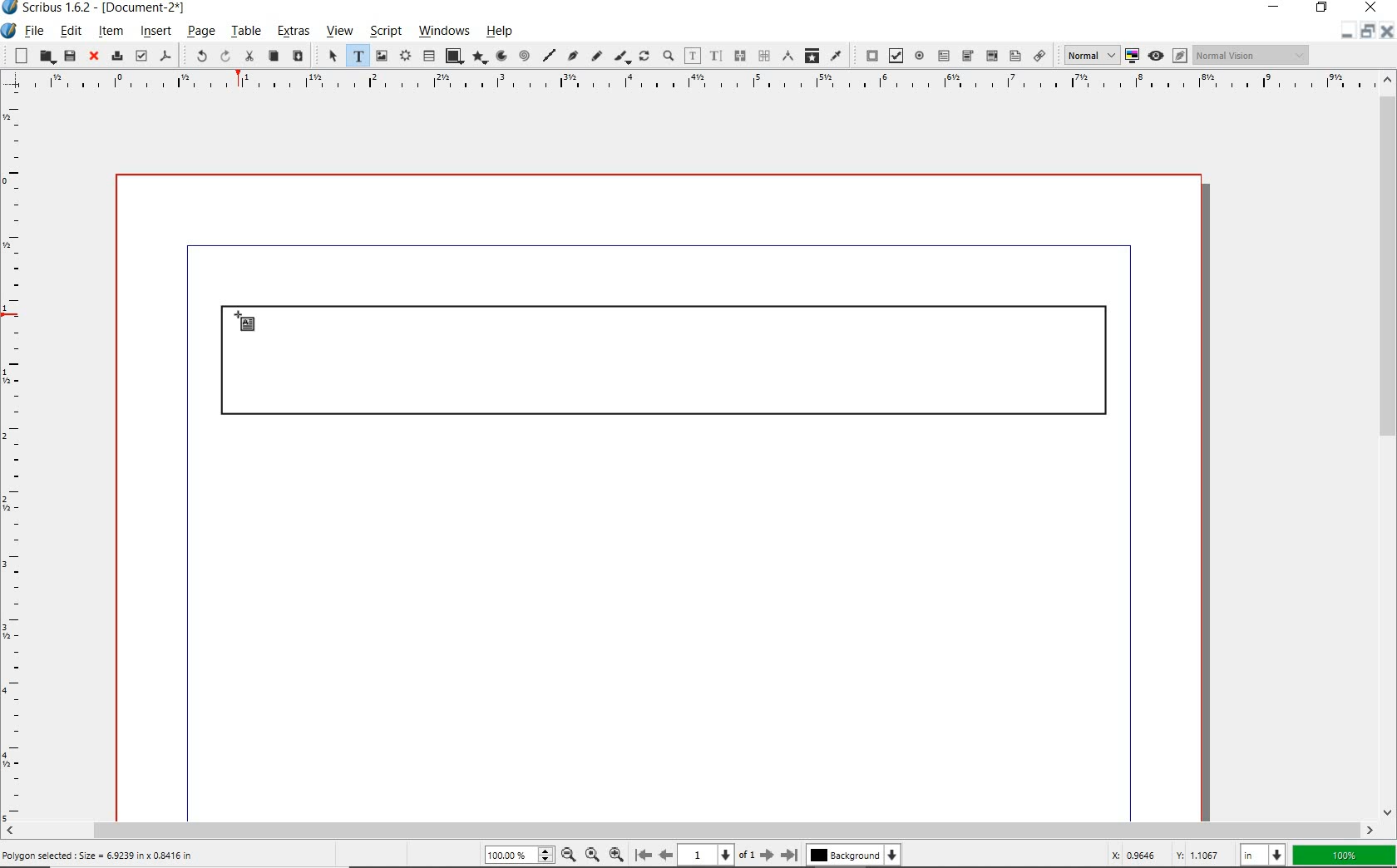  I want to click on help, so click(502, 31).